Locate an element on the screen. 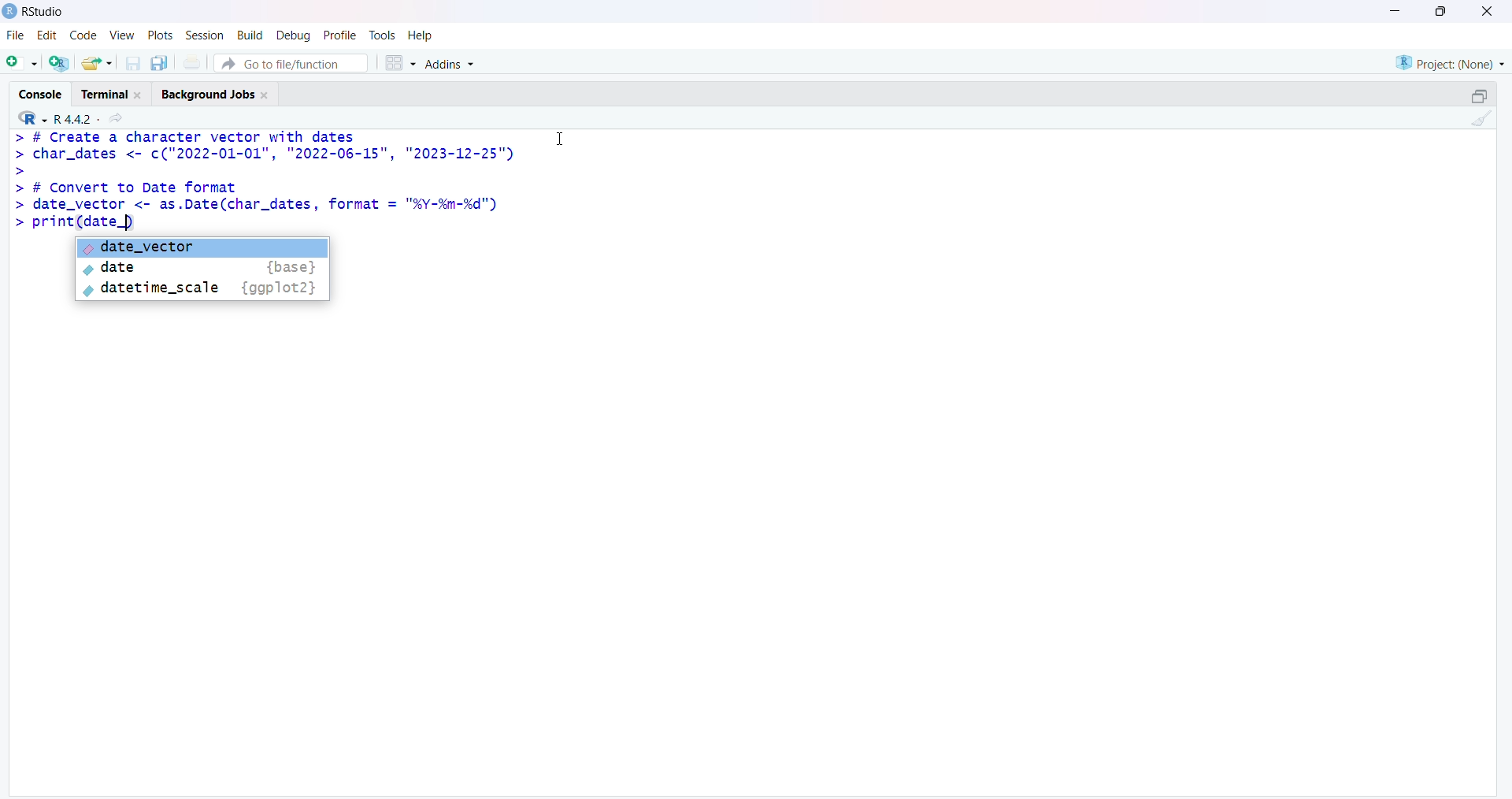  Print the current file is located at coordinates (198, 61).